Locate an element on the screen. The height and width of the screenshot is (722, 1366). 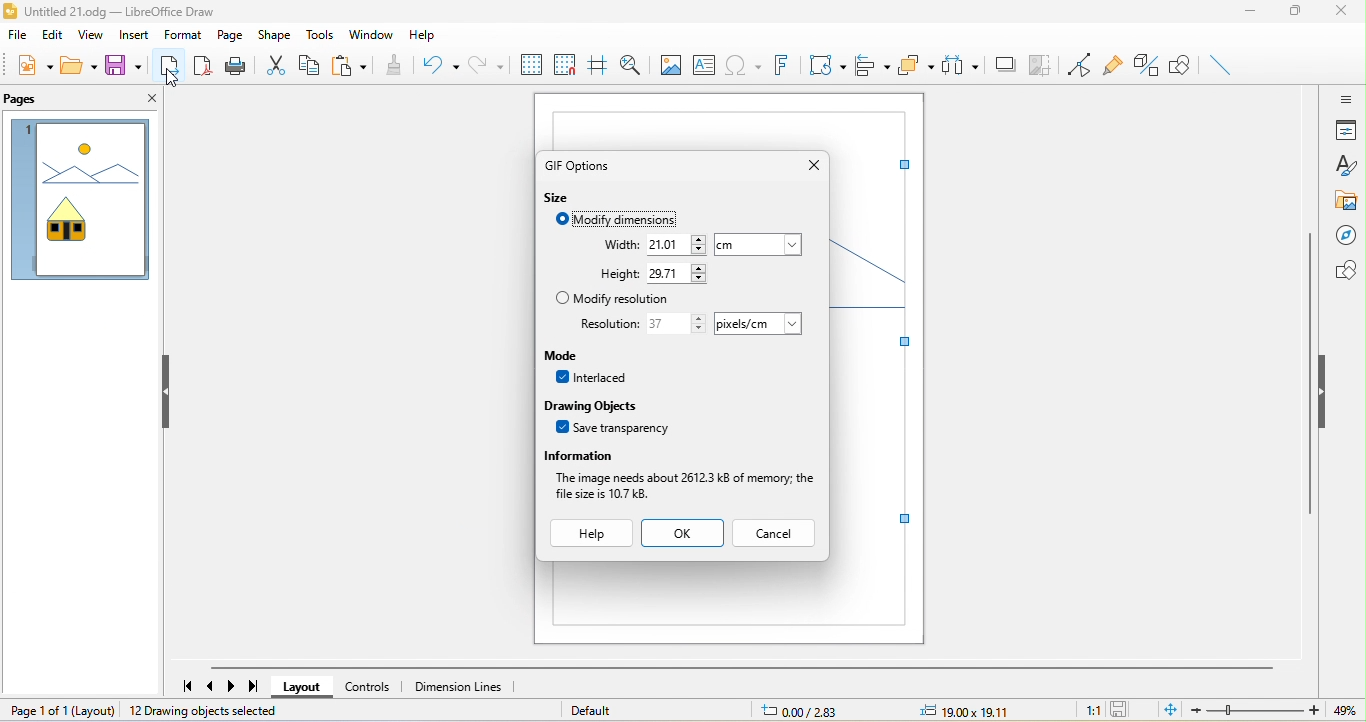
The image needs about 2612.3kB of memory; the file size is 10.7 kB. is located at coordinates (683, 487).